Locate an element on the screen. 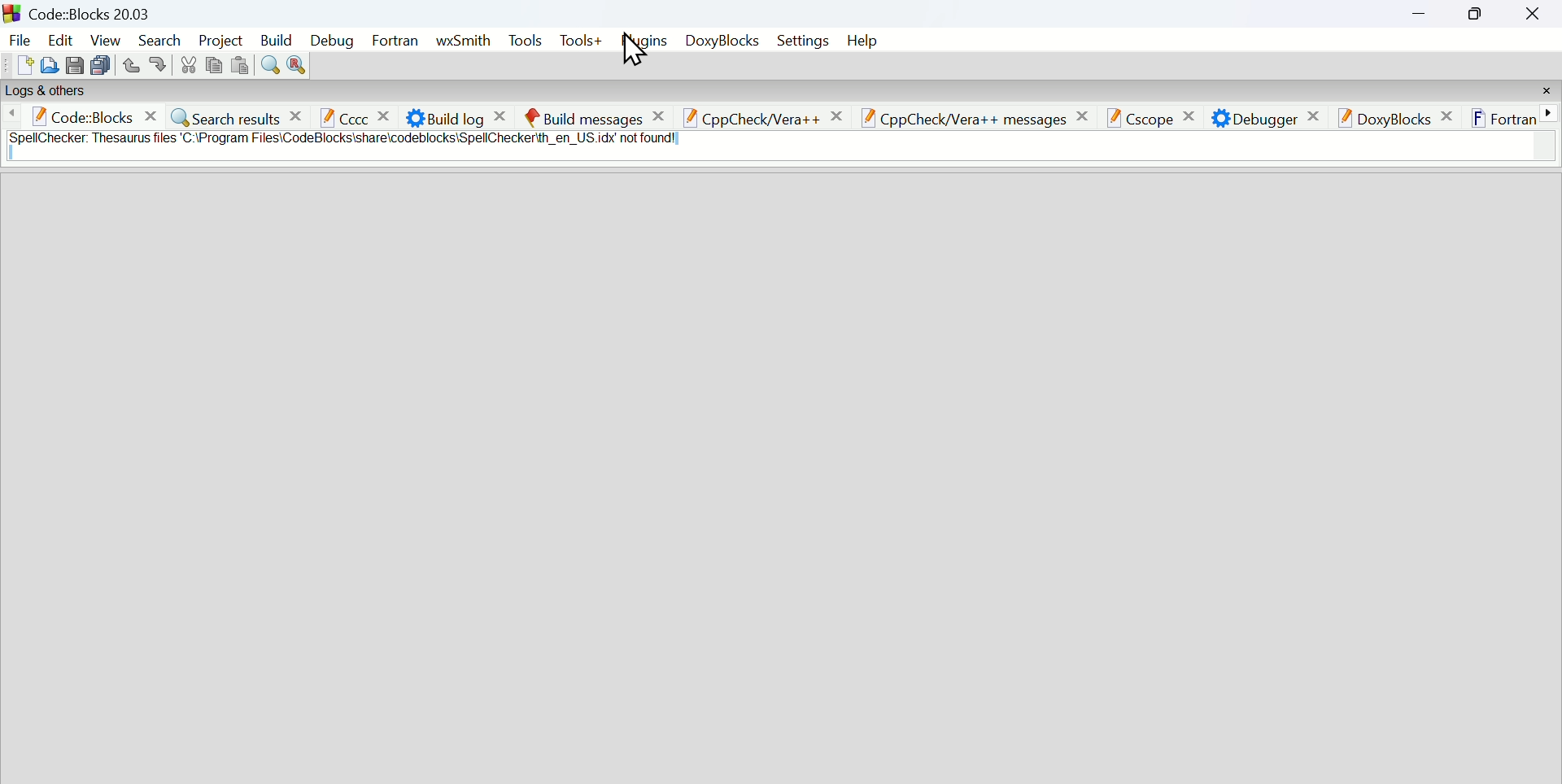 The width and height of the screenshot is (1562, 784). Close is located at coordinates (1533, 15).